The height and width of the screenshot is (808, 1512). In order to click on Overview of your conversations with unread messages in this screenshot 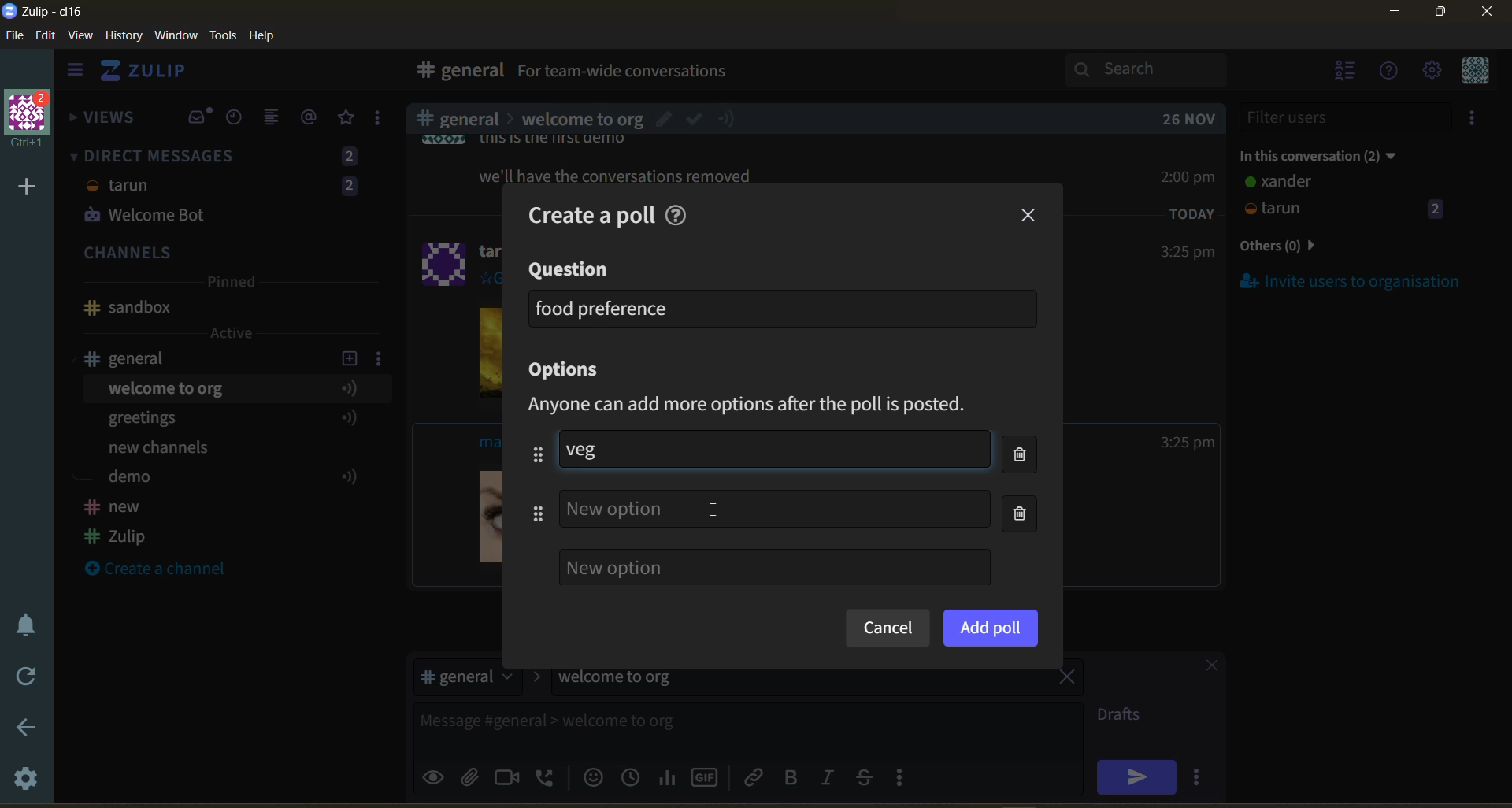, I will do `click(696, 73)`.